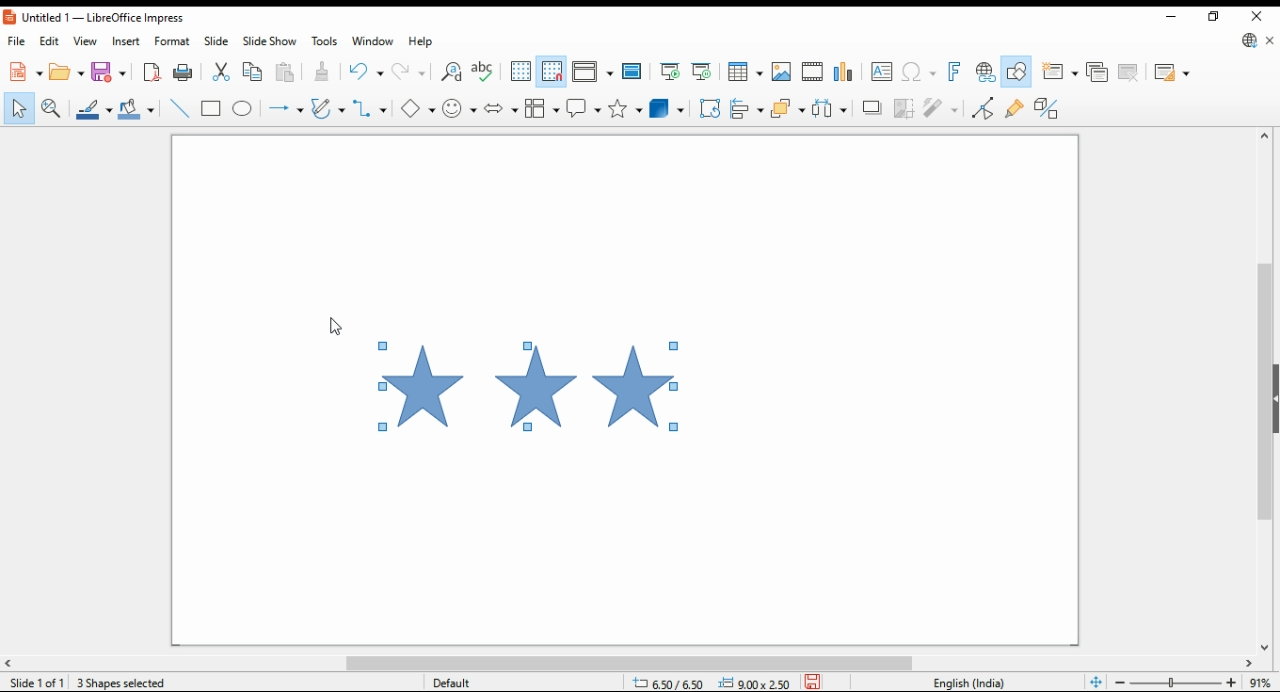 This screenshot has width=1280, height=692. What do you see at coordinates (459, 108) in the screenshot?
I see `symbol shapes` at bounding box center [459, 108].